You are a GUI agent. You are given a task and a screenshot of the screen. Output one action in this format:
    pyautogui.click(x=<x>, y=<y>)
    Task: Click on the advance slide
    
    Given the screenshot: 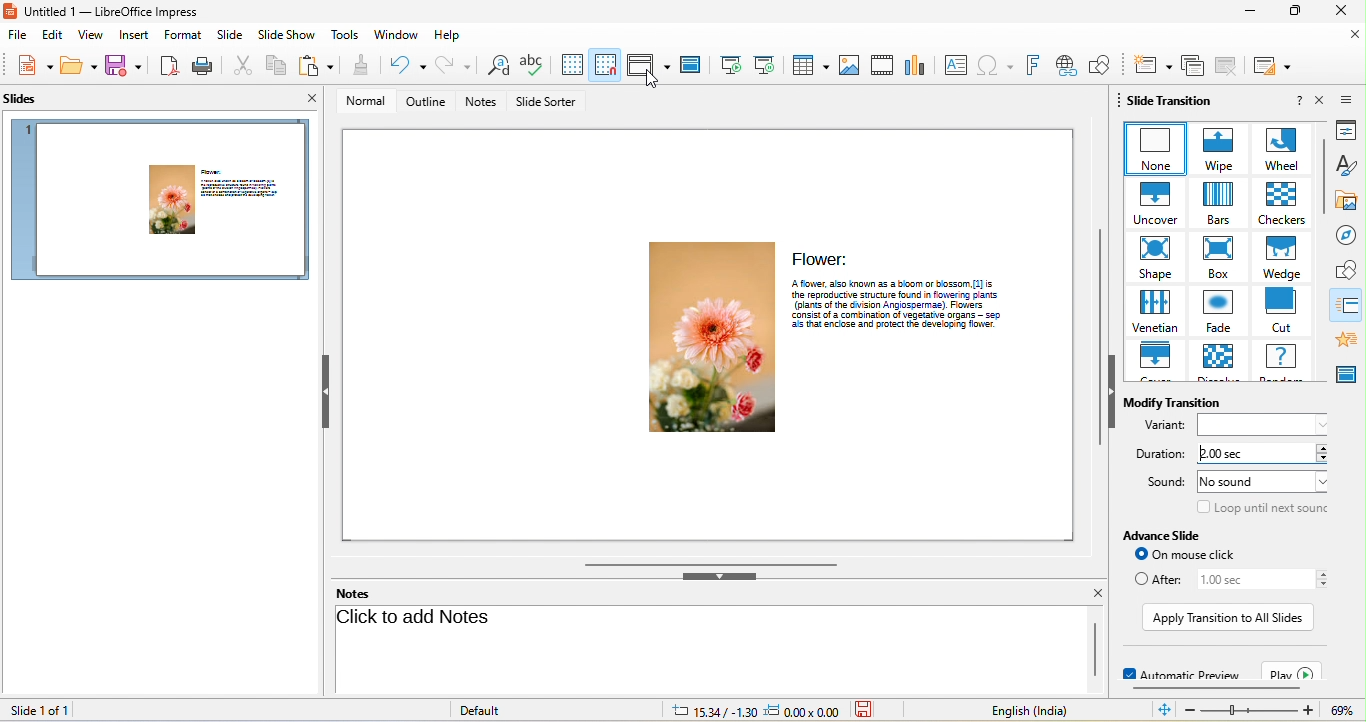 What is the action you would take?
    pyautogui.click(x=1170, y=535)
    